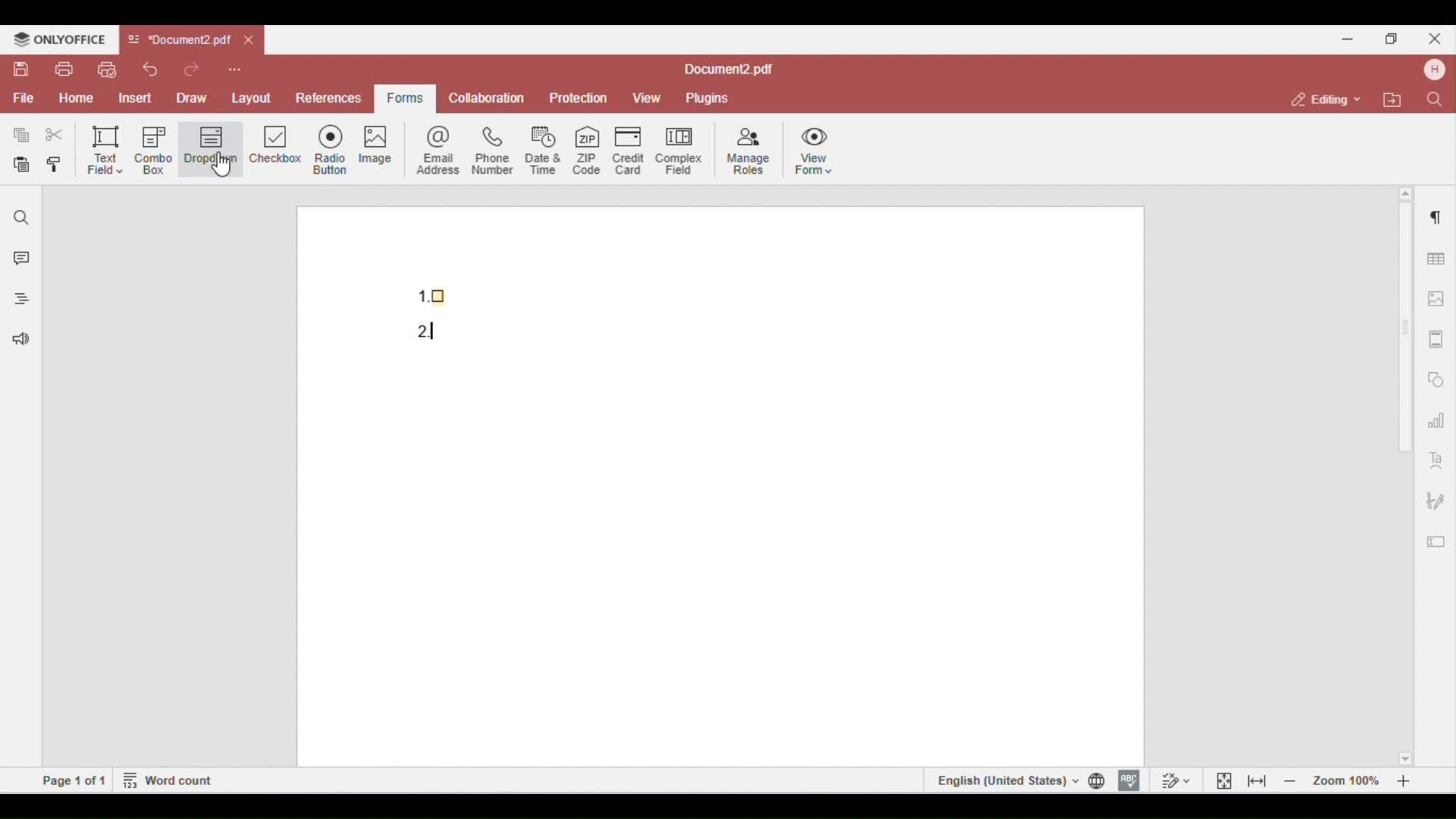 This screenshot has width=1456, height=819. What do you see at coordinates (544, 149) in the screenshot?
I see `date and time` at bounding box center [544, 149].